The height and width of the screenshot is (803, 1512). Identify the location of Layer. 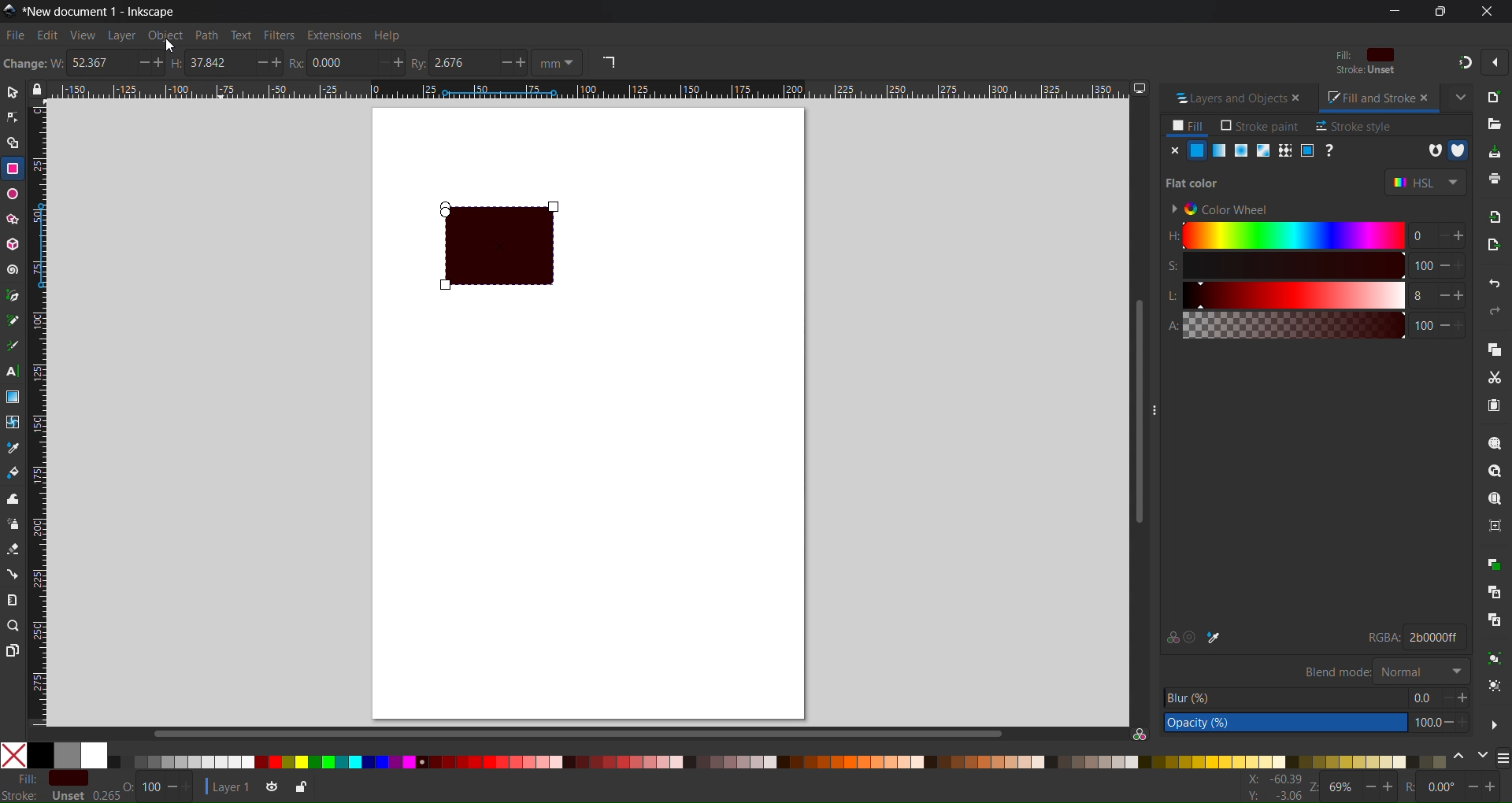
(120, 35).